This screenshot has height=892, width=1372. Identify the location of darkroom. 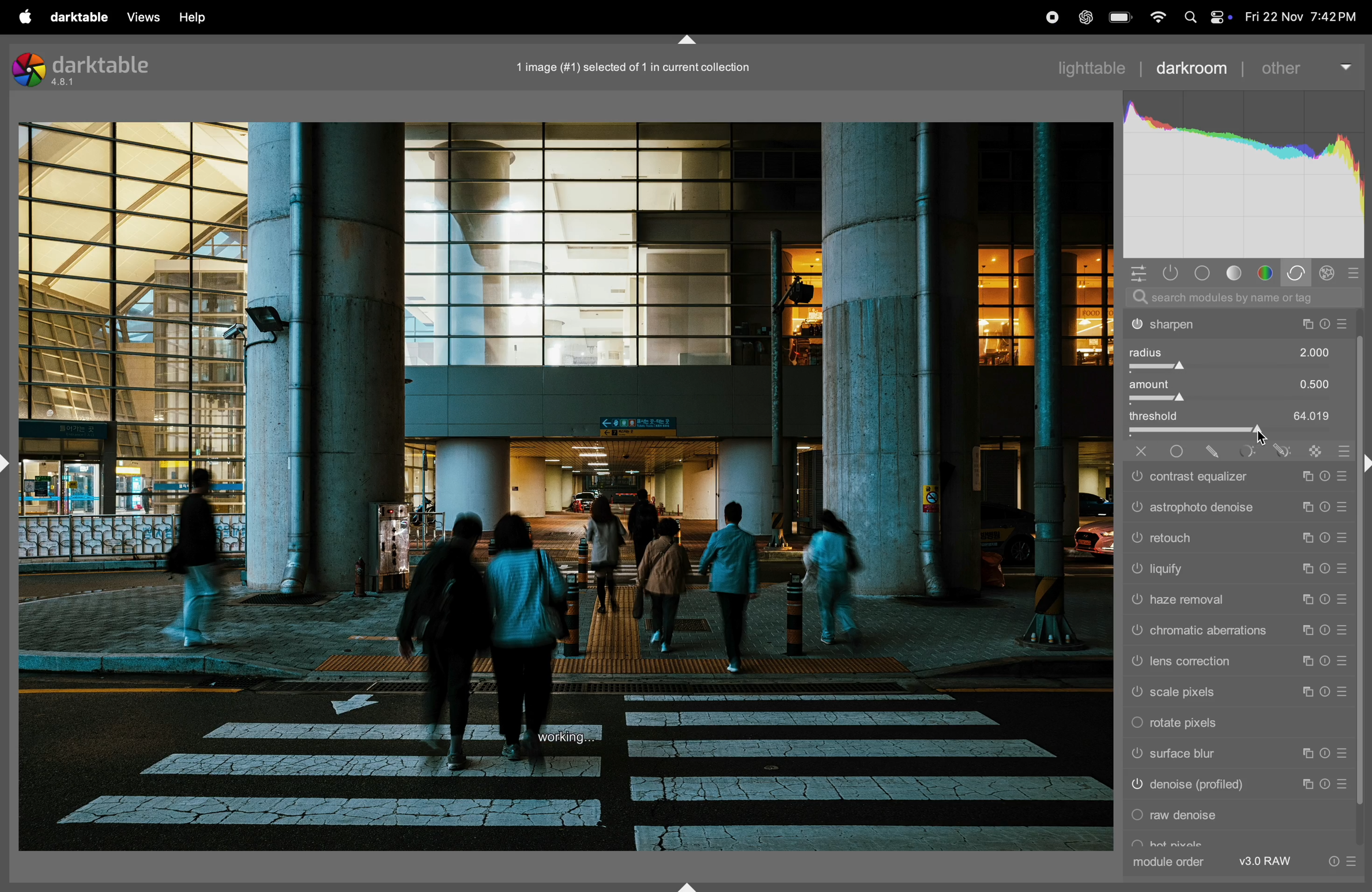
(1193, 69).